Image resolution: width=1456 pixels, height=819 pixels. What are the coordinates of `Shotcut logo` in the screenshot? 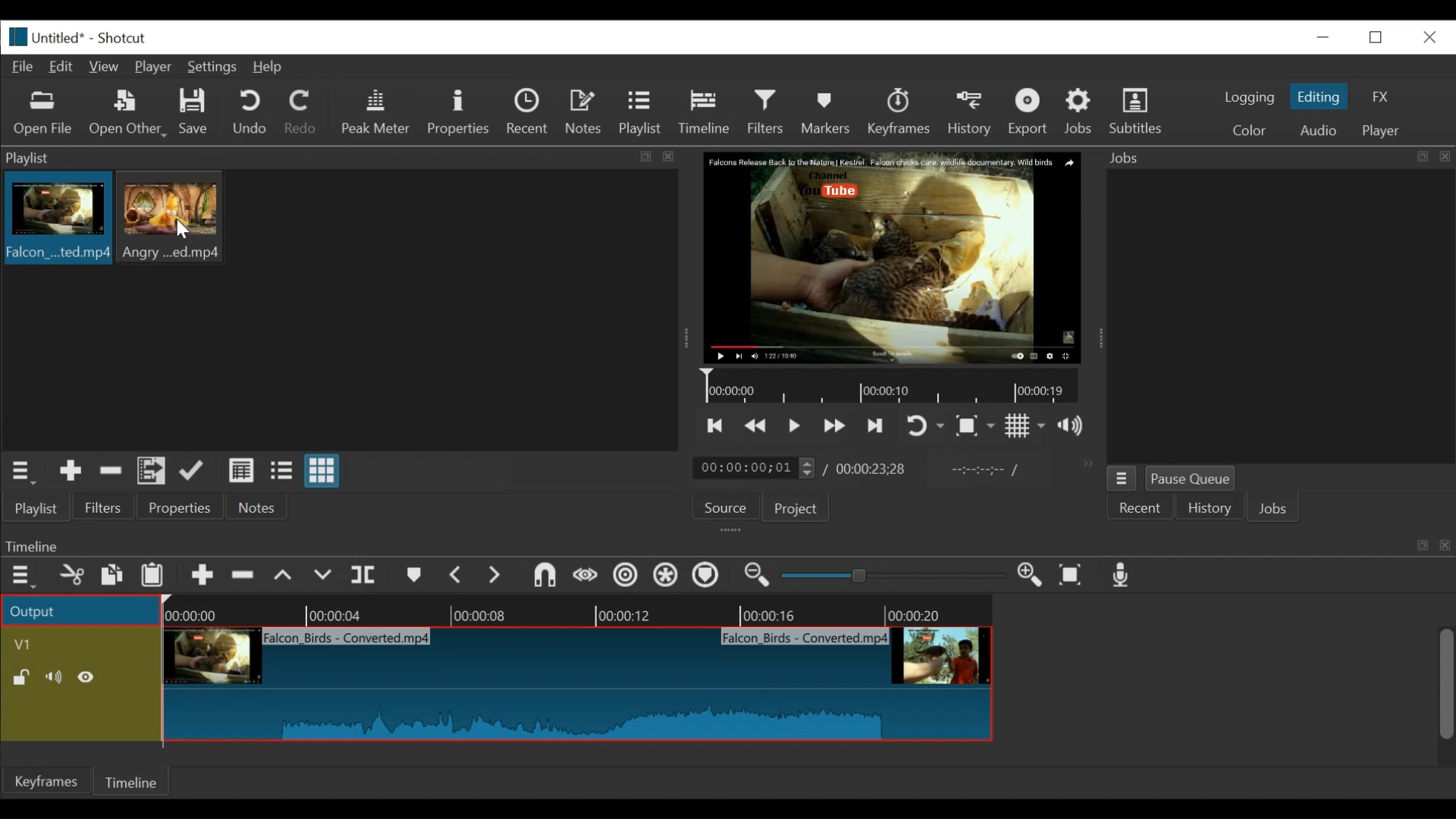 It's located at (14, 35).